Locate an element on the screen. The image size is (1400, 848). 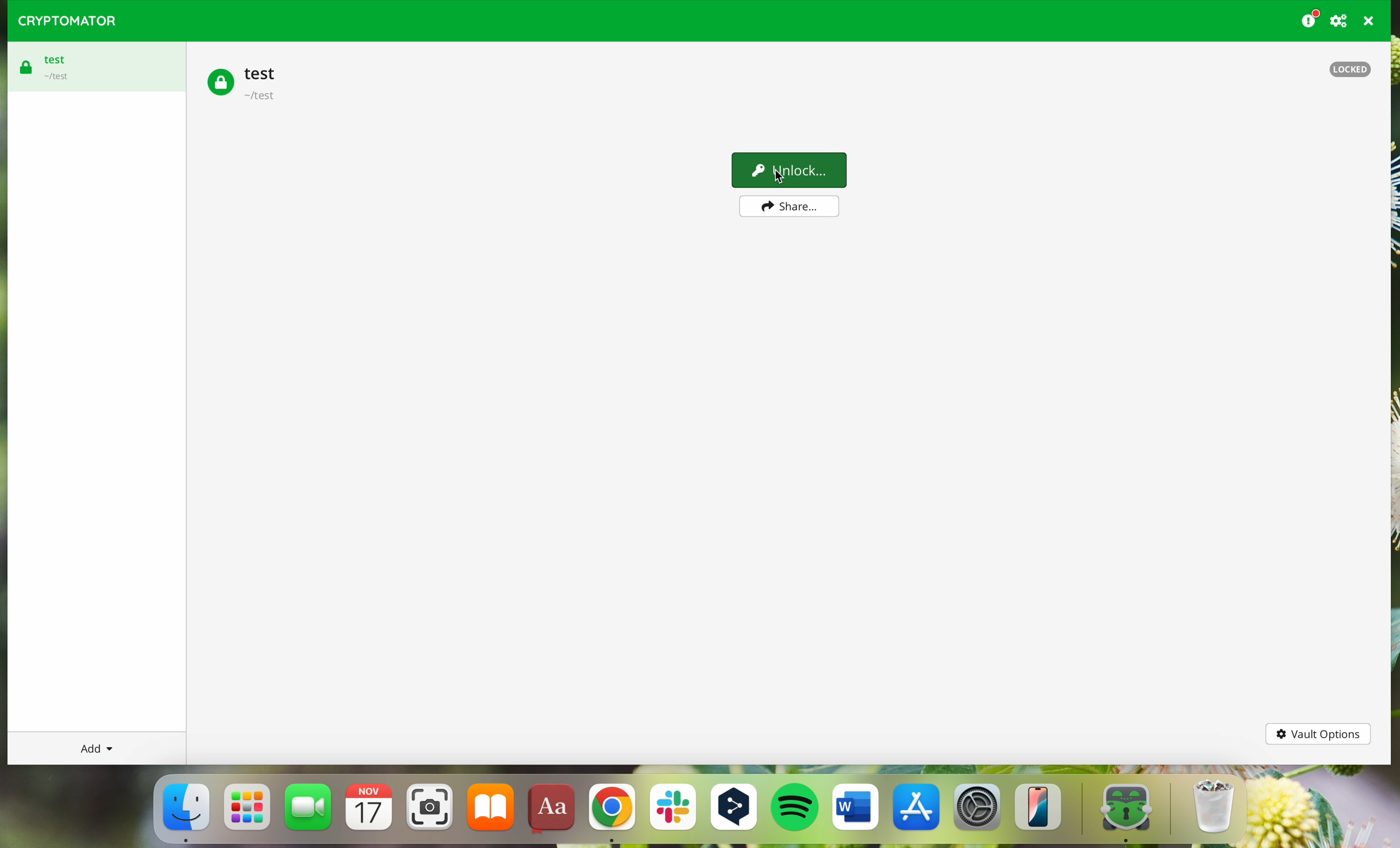
cursor on unlock button is located at coordinates (790, 170).